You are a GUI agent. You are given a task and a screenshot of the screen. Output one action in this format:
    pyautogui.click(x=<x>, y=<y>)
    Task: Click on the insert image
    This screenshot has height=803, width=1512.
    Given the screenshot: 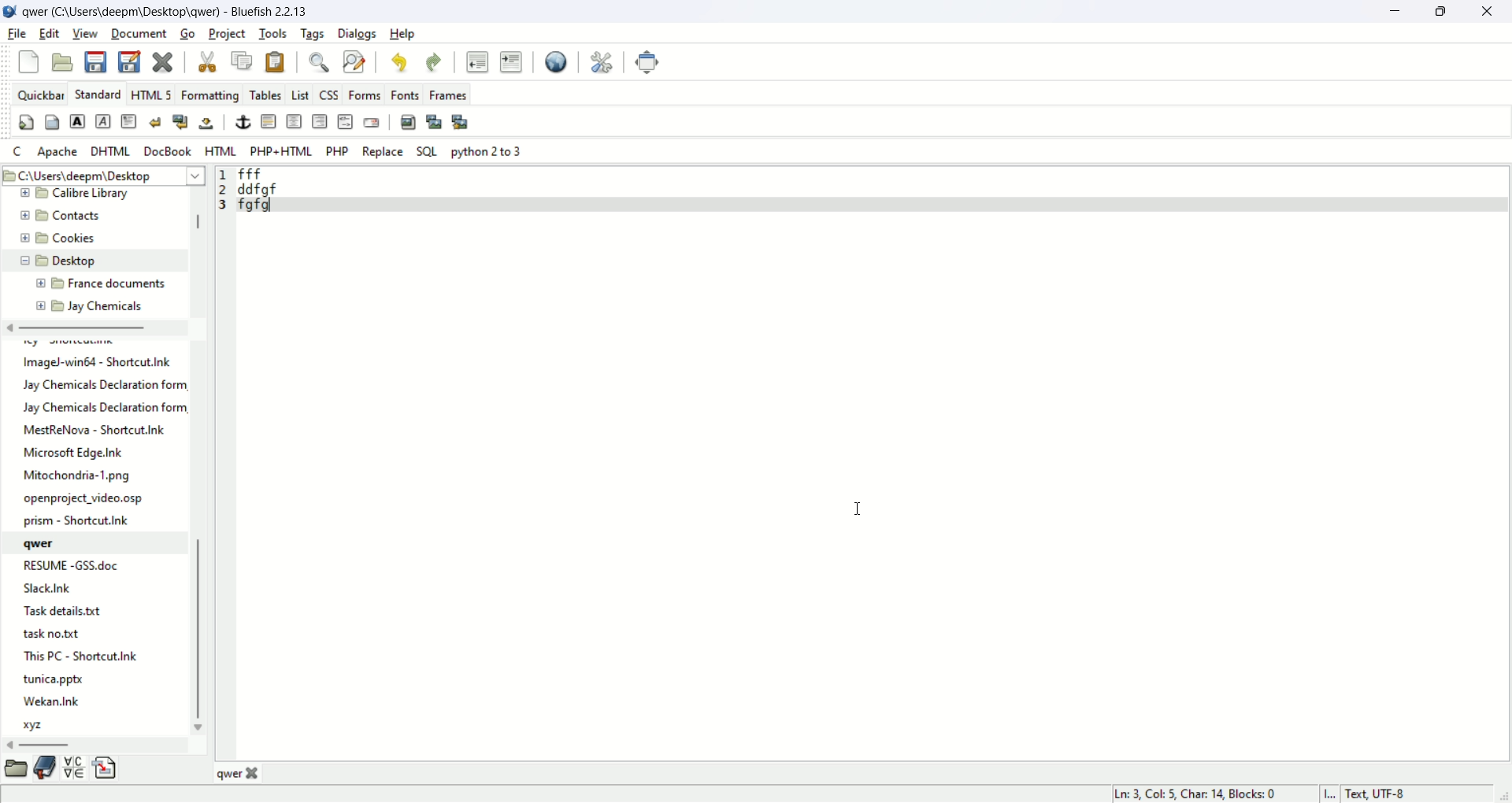 What is the action you would take?
    pyautogui.click(x=408, y=121)
    